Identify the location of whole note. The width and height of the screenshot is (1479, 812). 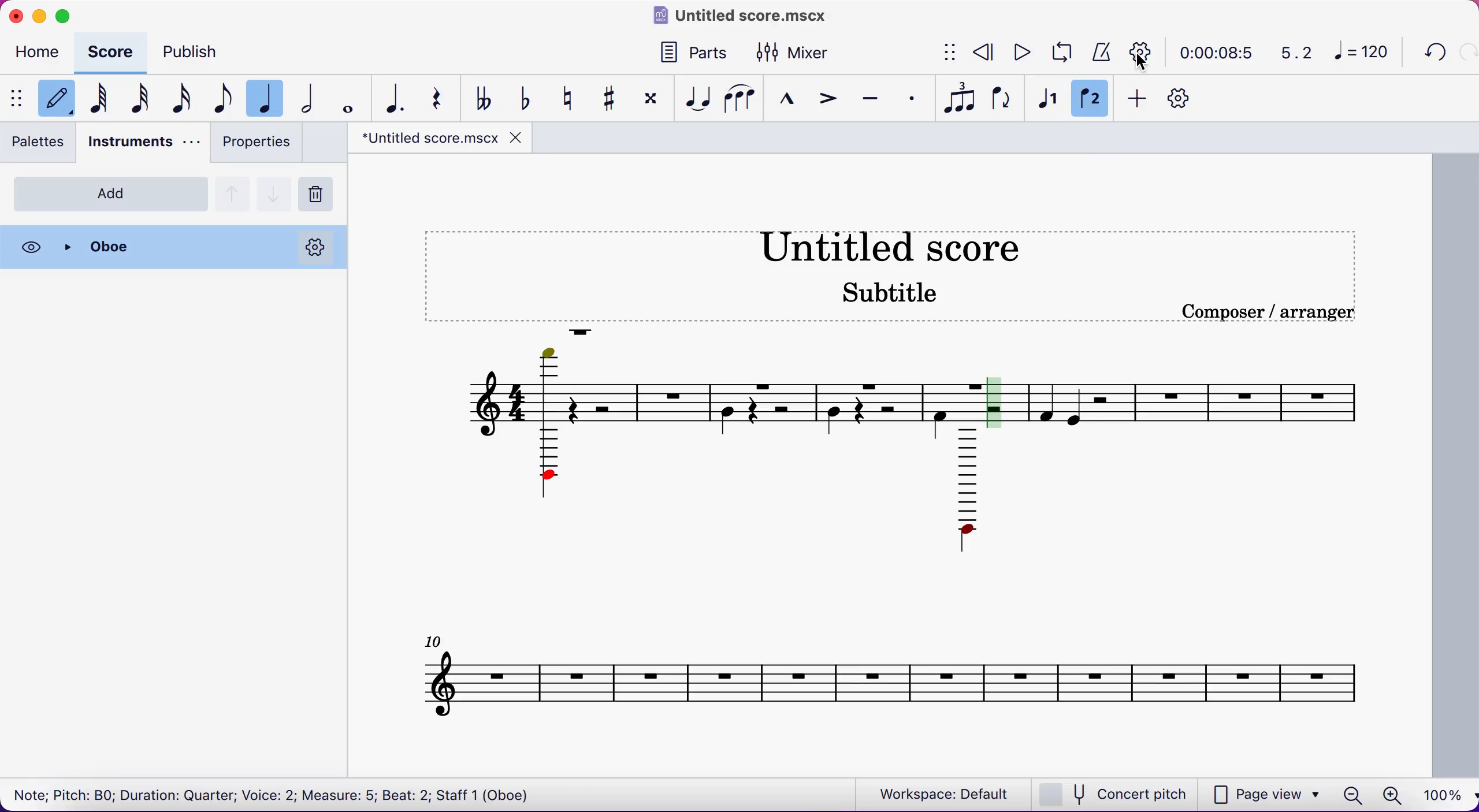
(345, 98).